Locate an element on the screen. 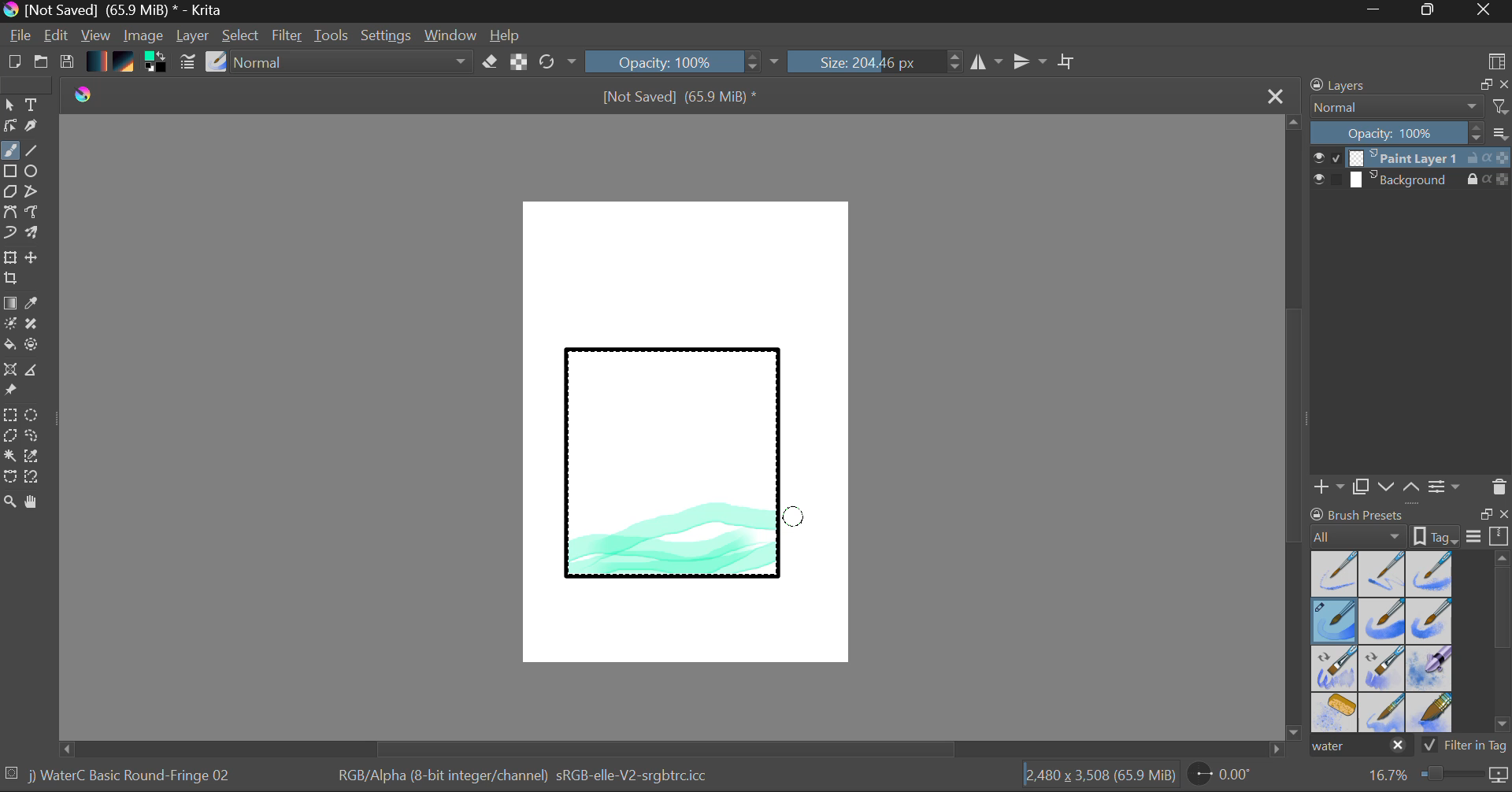  Open is located at coordinates (43, 64).